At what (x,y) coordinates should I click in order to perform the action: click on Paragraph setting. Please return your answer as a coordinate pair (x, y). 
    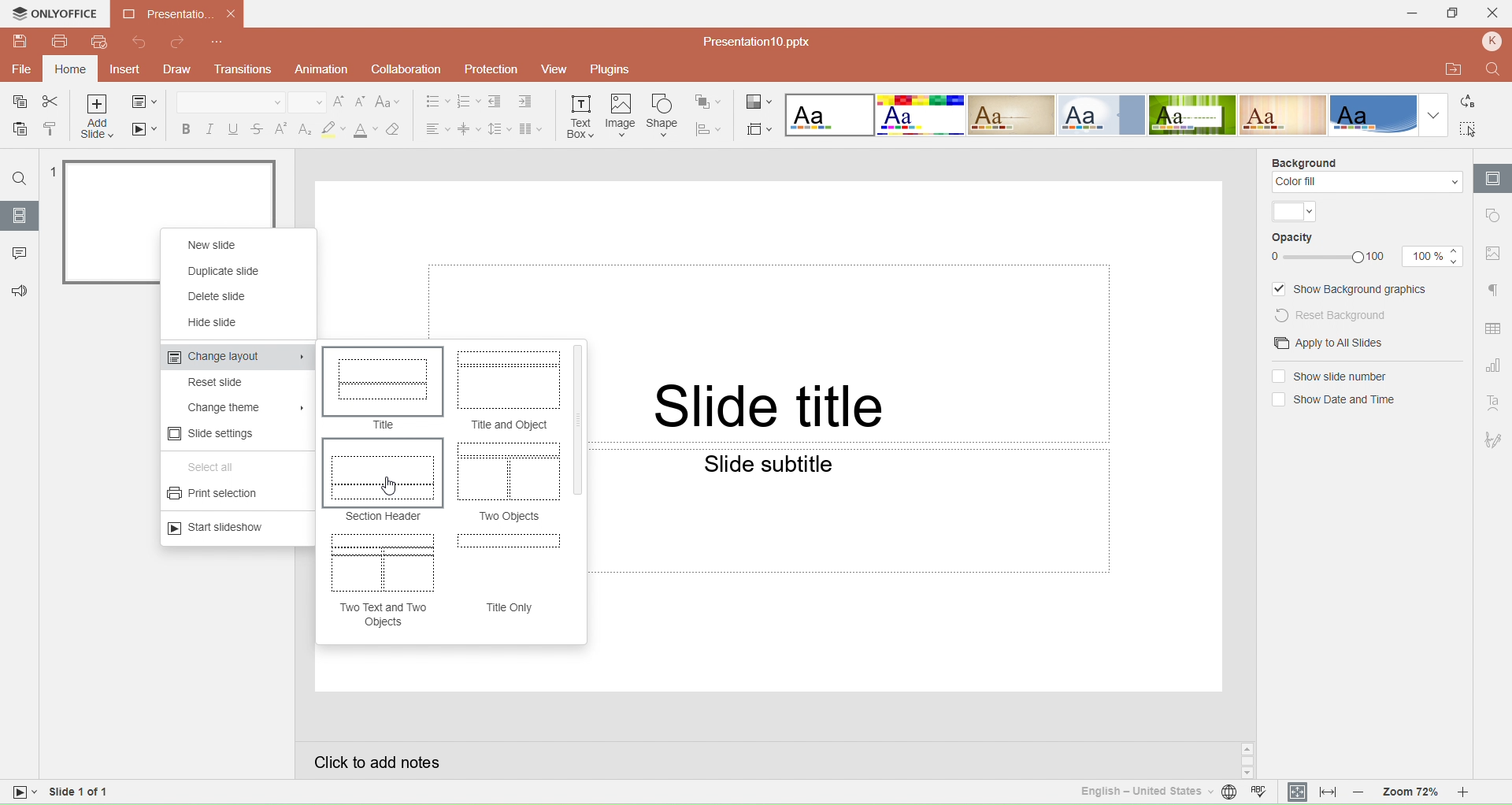
    Looking at the image, I should click on (1493, 291).